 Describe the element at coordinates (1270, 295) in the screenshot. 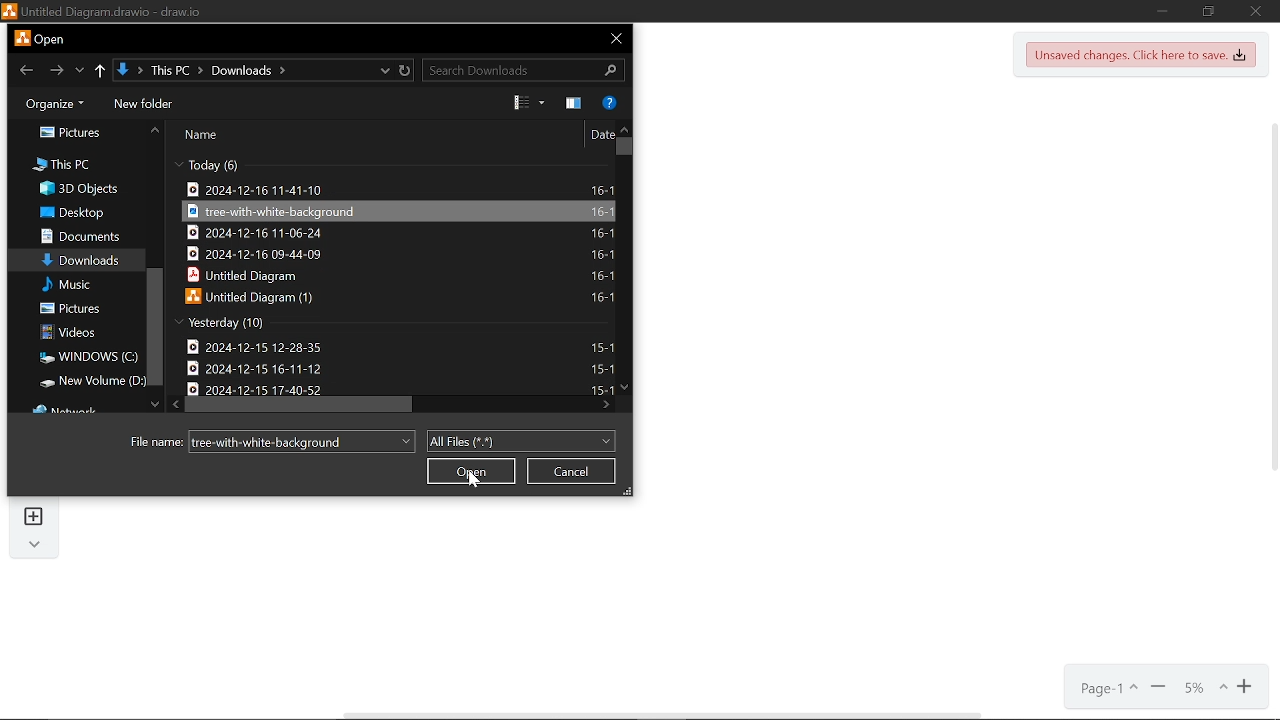

I see `vertical scrollbar` at that location.